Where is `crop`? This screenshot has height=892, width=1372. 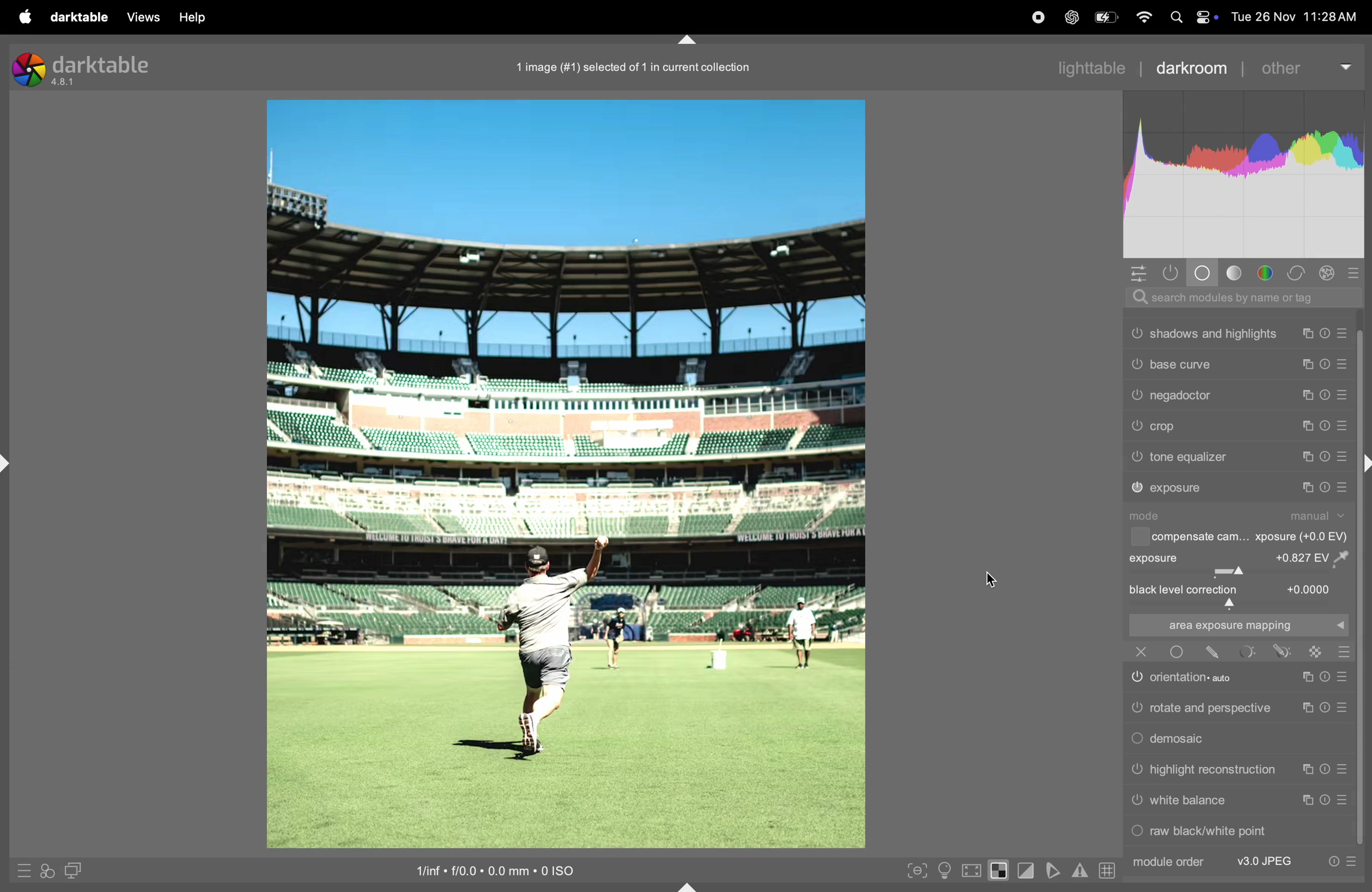 crop is located at coordinates (1167, 427).